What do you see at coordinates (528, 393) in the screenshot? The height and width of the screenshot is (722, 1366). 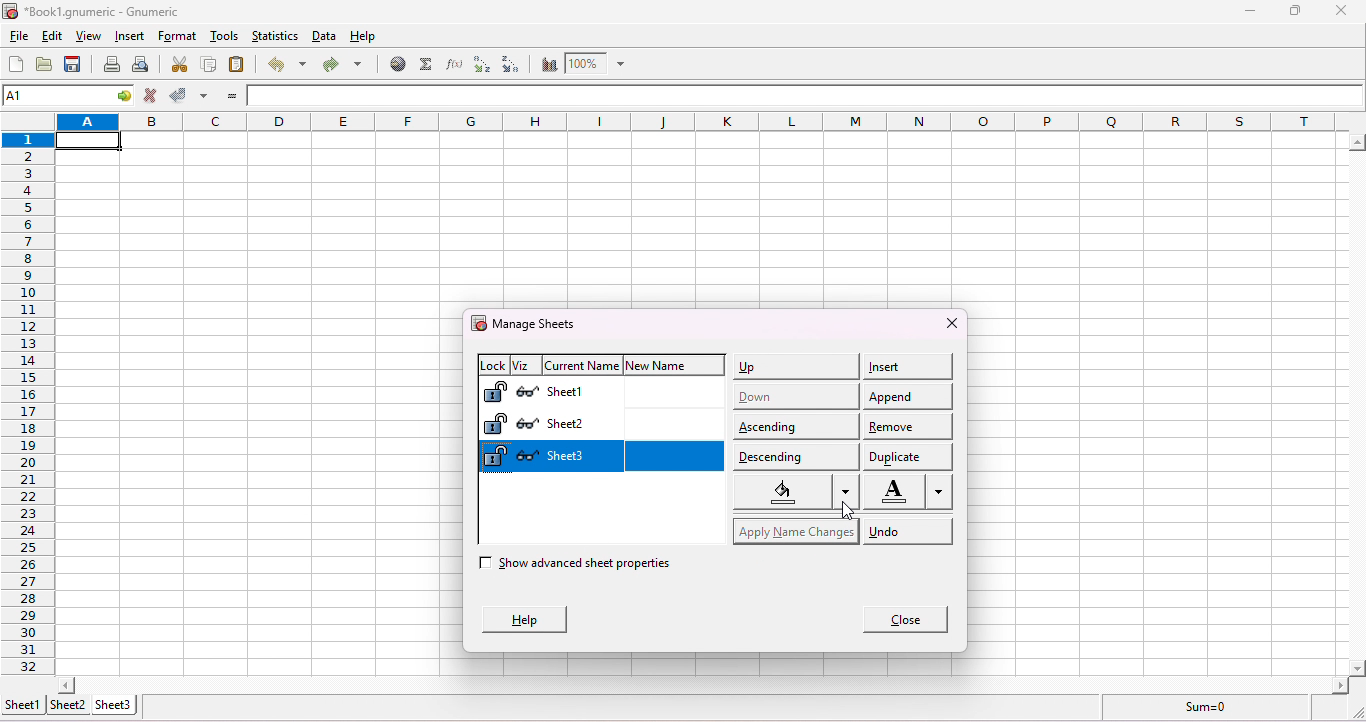 I see `Hide sheet 1` at bounding box center [528, 393].